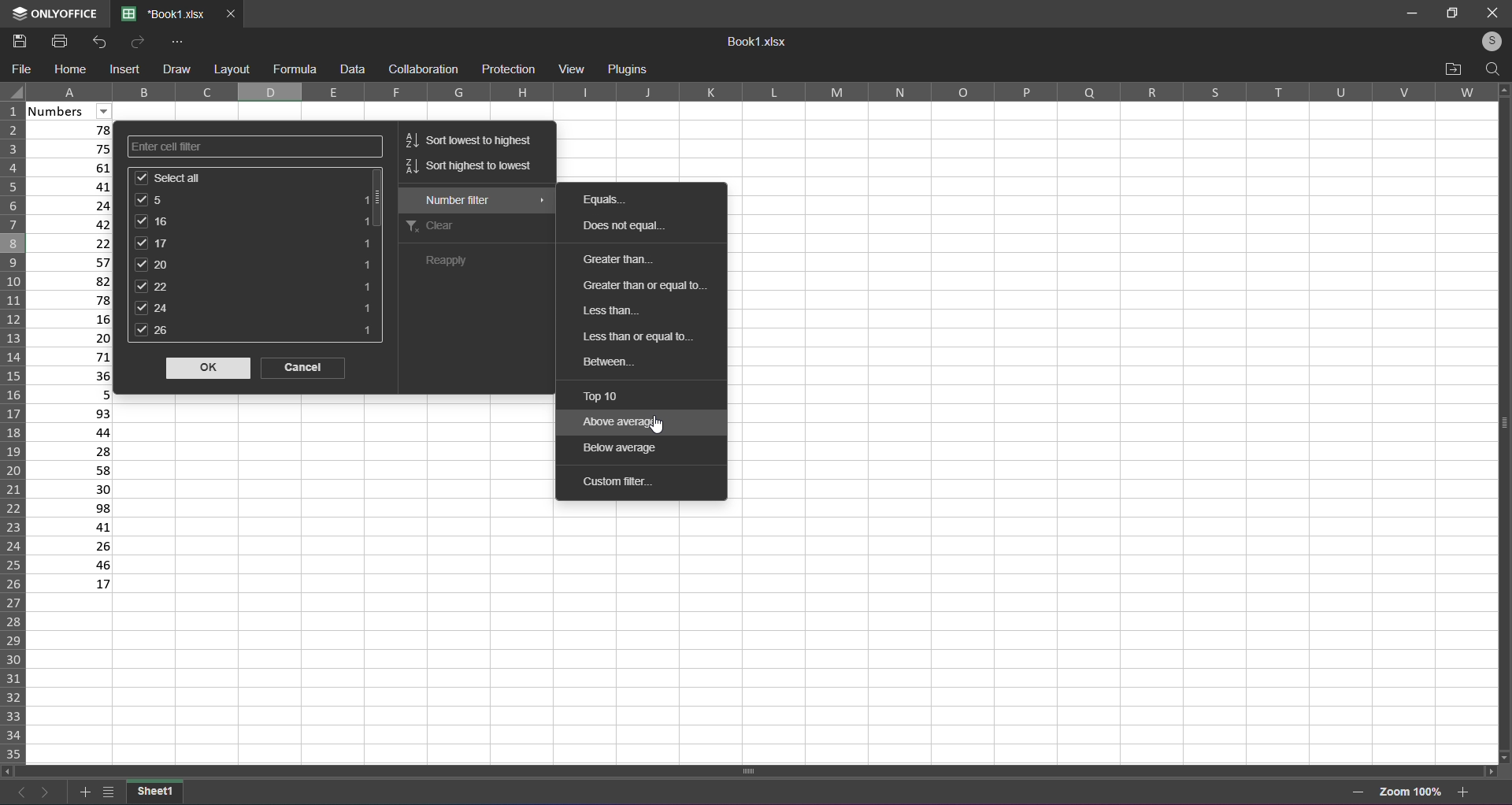  What do you see at coordinates (295, 67) in the screenshot?
I see `formula` at bounding box center [295, 67].